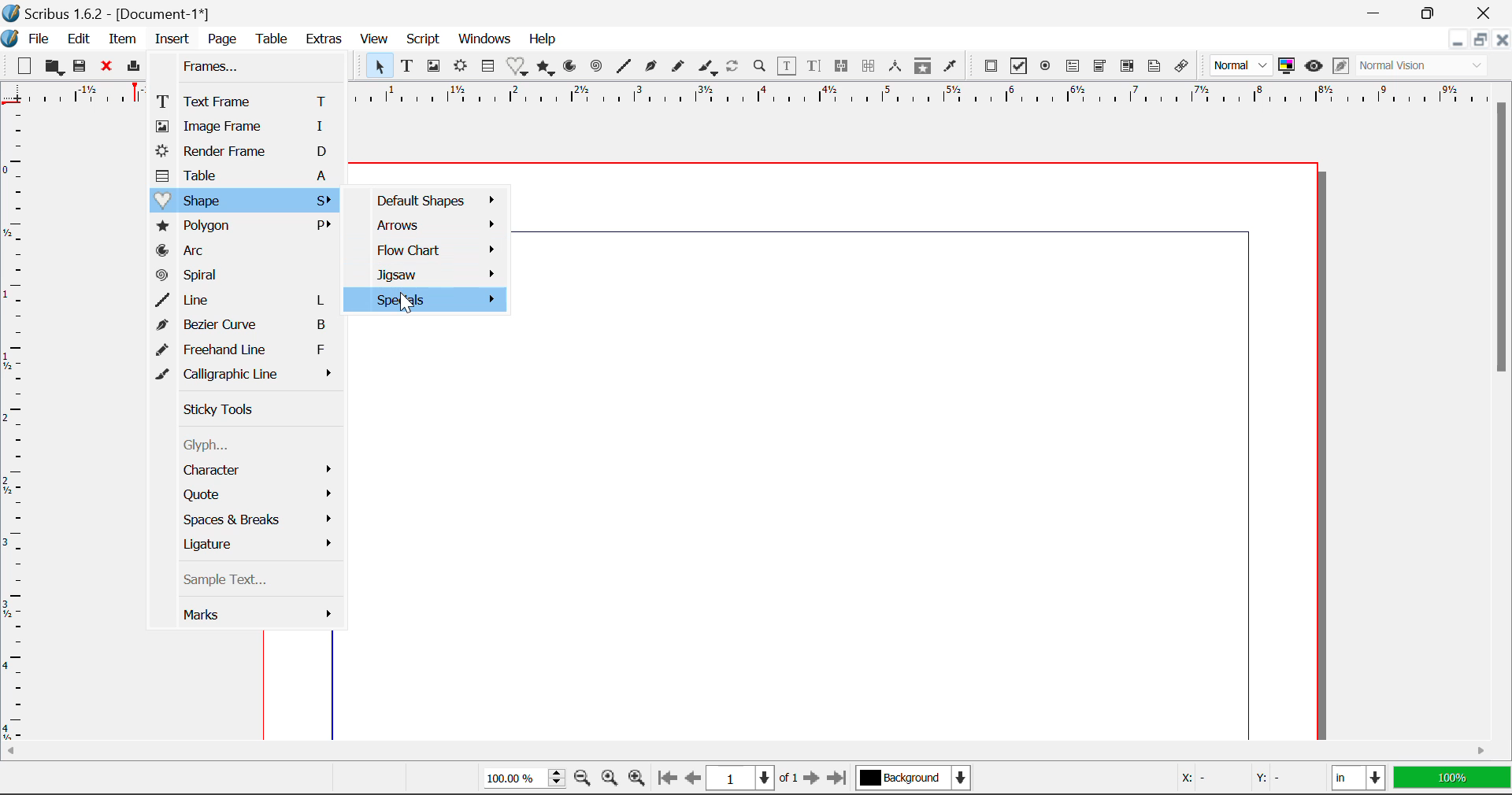 The height and width of the screenshot is (795, 1512). I want to click on Insert Special Shapes, so click(518, 68).